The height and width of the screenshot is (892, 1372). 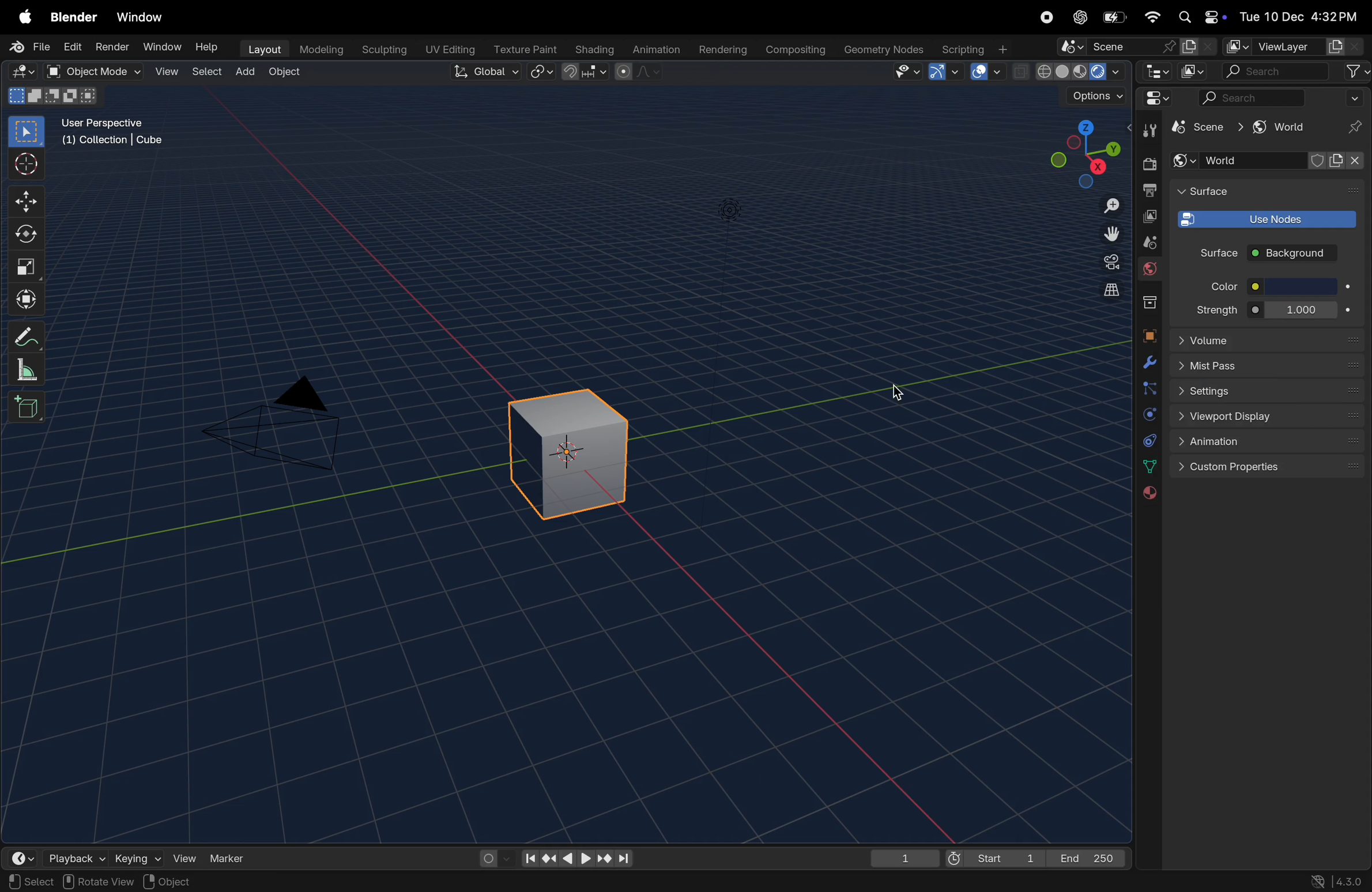 What do you see at coordinates (138, 856) in the screenshot?
I see `keying` at bounding box center [138, 856].